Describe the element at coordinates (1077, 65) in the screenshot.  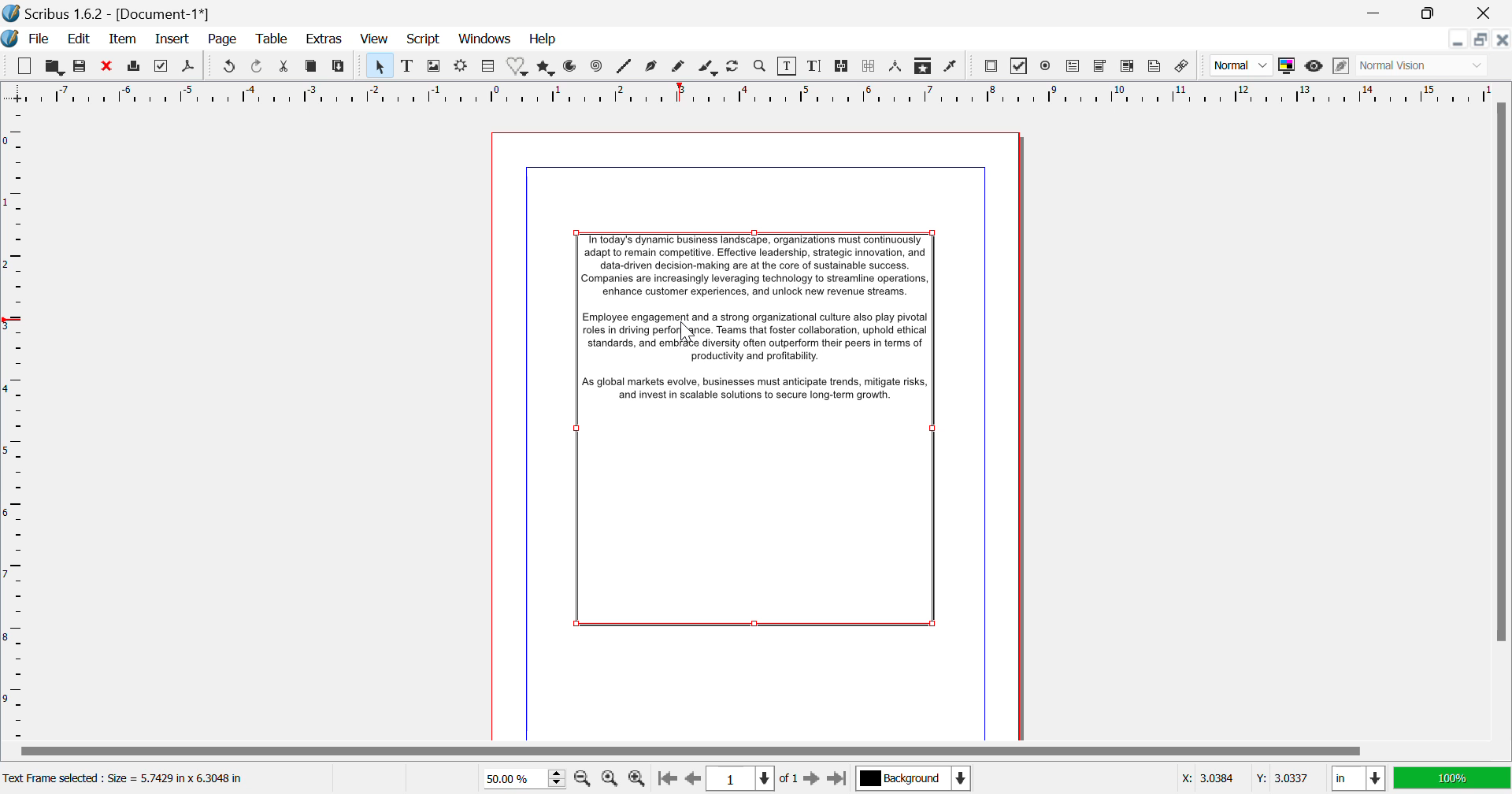
I see `Pdf Text Field` at that location.